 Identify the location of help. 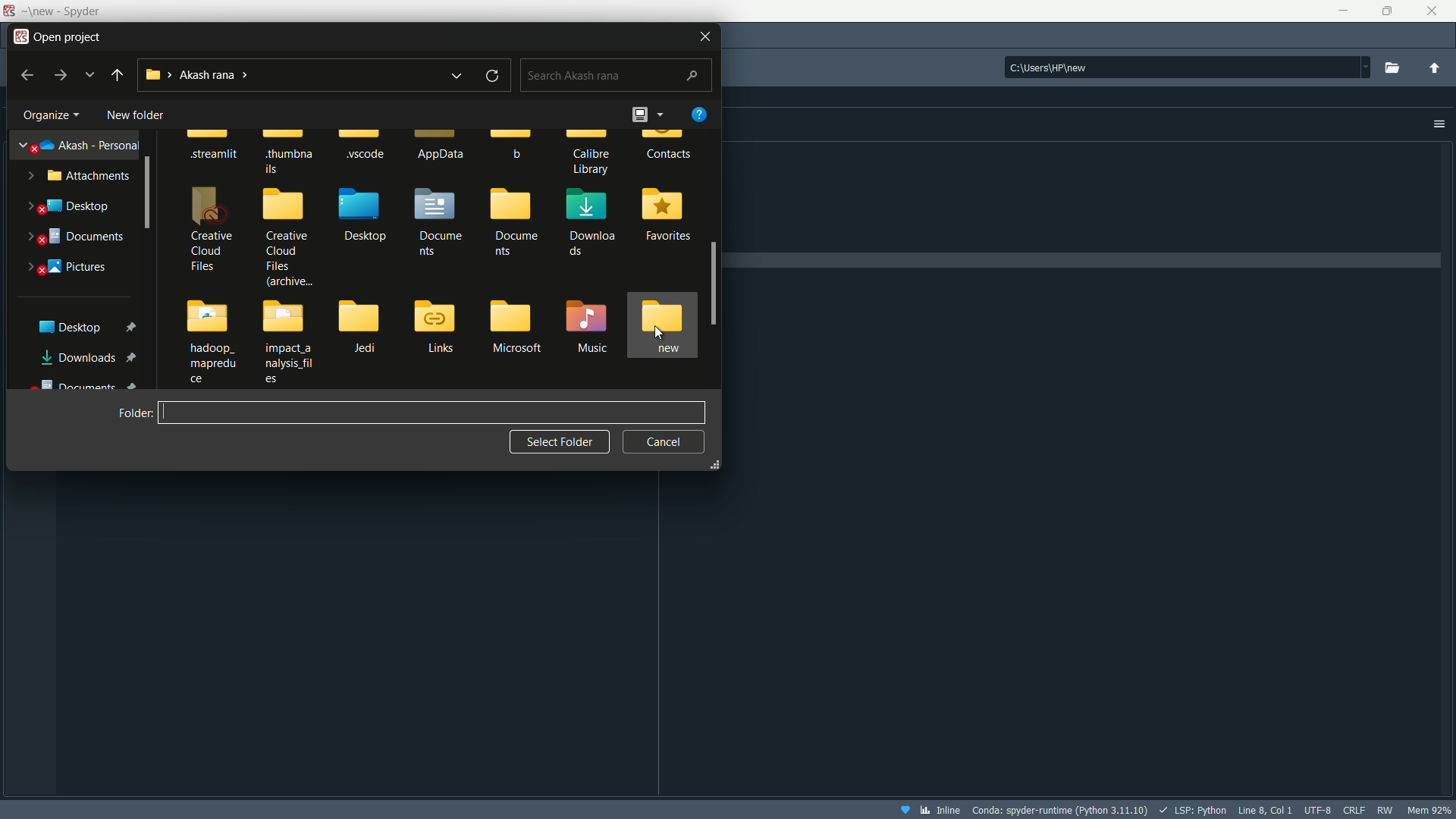
(699, 114).